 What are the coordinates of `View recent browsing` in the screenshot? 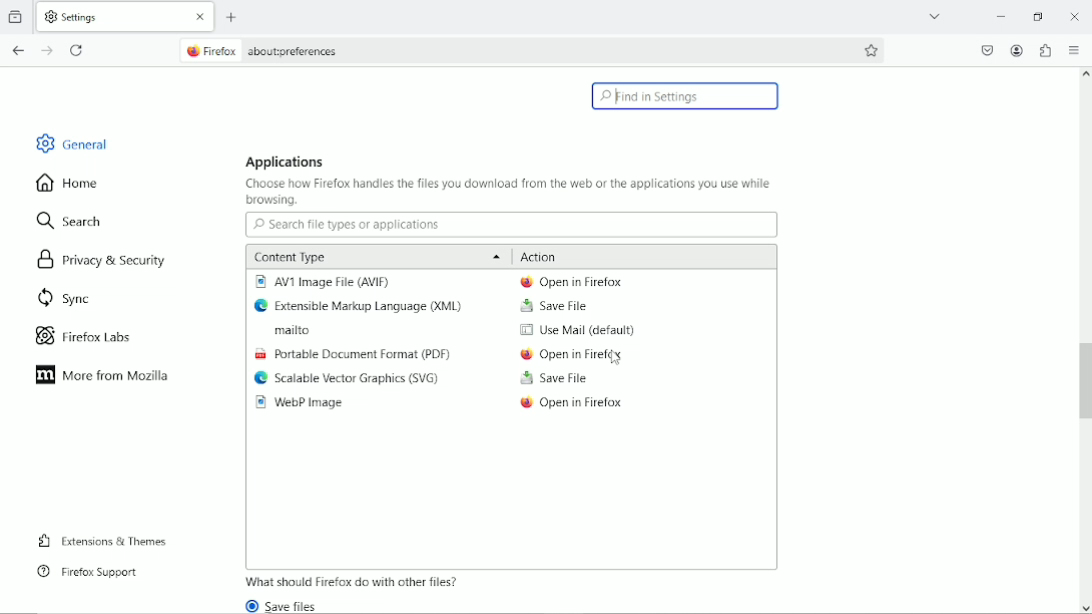 It's located at (18, 15).